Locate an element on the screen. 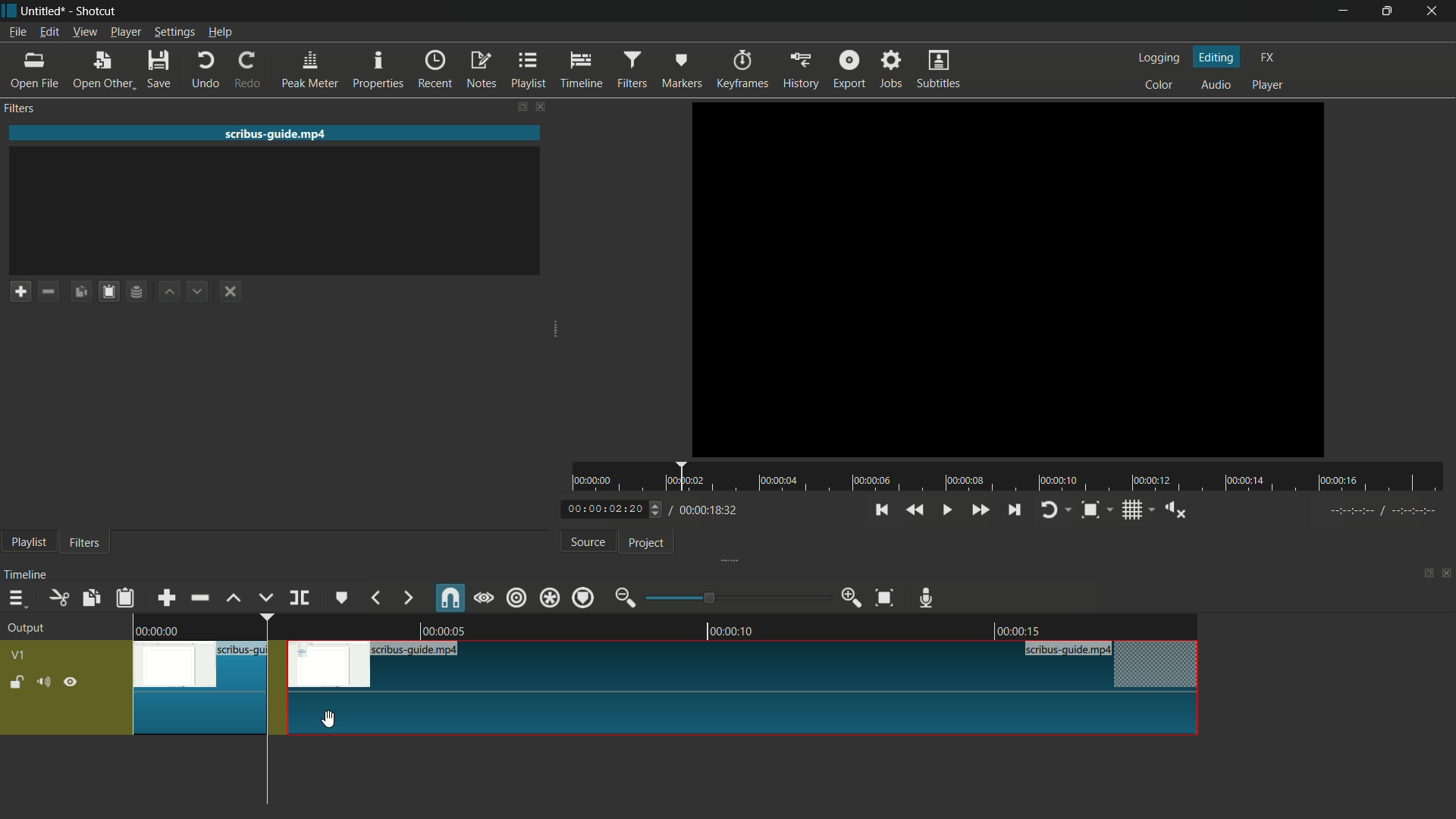 This screenshot has height=819, width=1456. add a filter is located at coordinates (20, 291).